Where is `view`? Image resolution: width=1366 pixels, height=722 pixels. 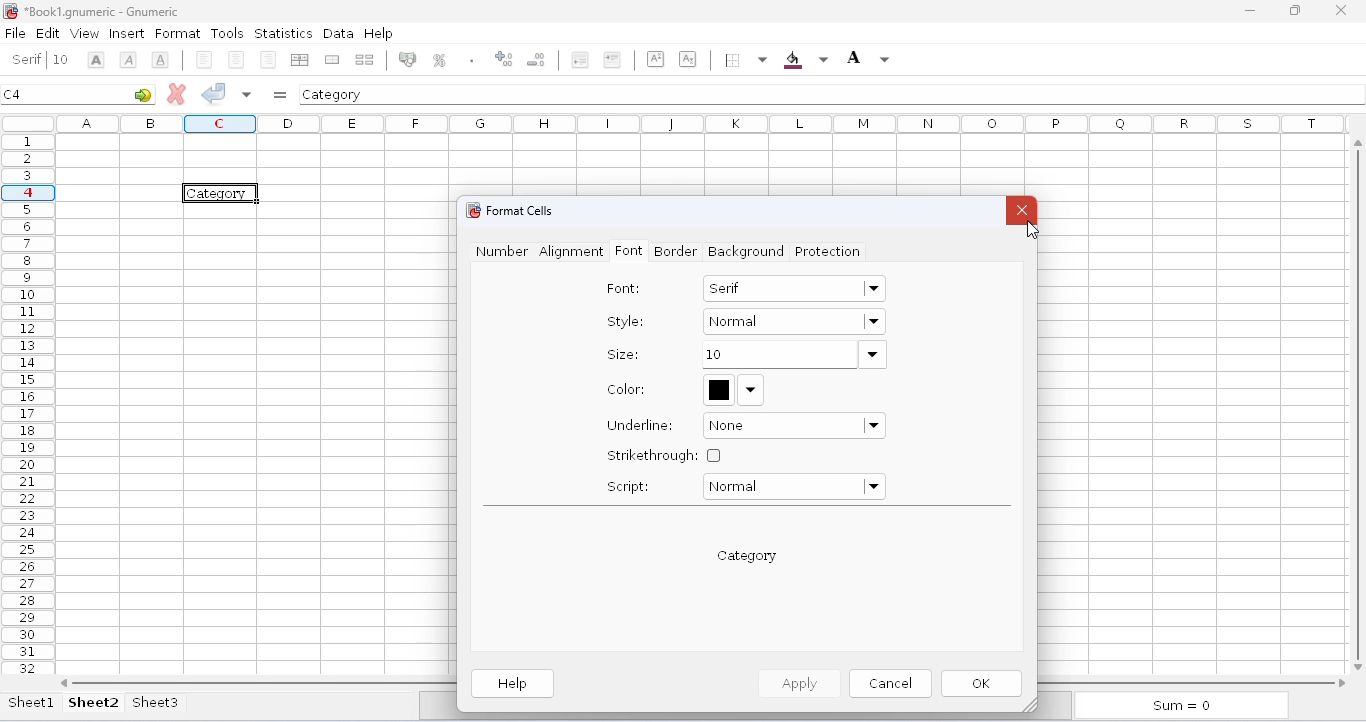 view is located at coordinates (85, 33).